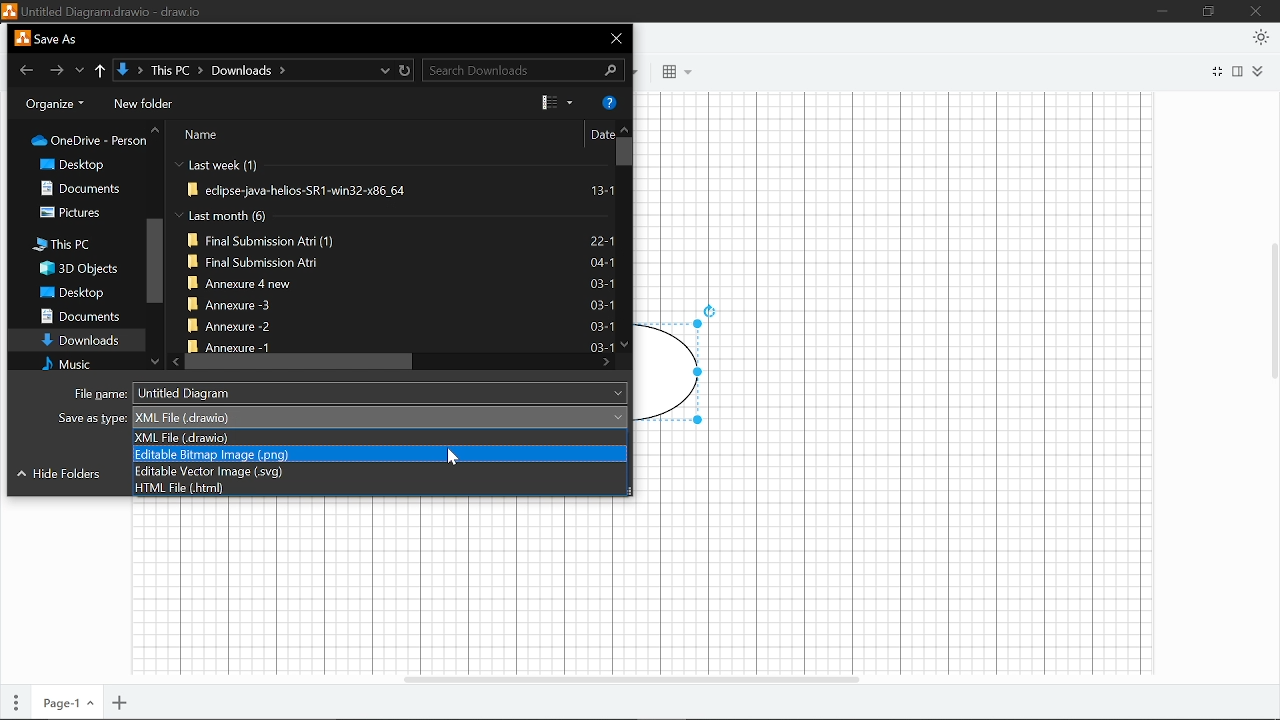 The height and width of the screenshot is (720, 1280). I want to click on Up yo "This pc", so click(102, 71).